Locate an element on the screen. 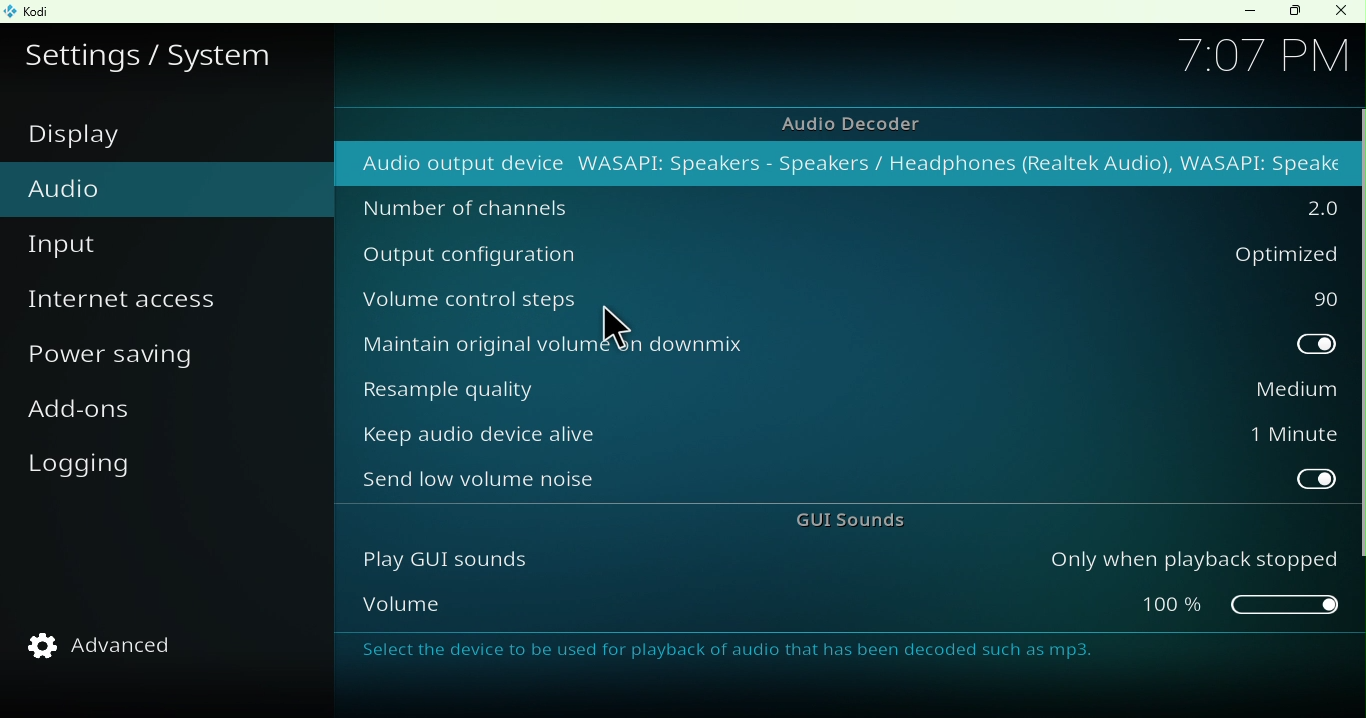 Image resolution: width=1366 pixels, height=718 pixels. Power saving is located at coordinates (121, 356).